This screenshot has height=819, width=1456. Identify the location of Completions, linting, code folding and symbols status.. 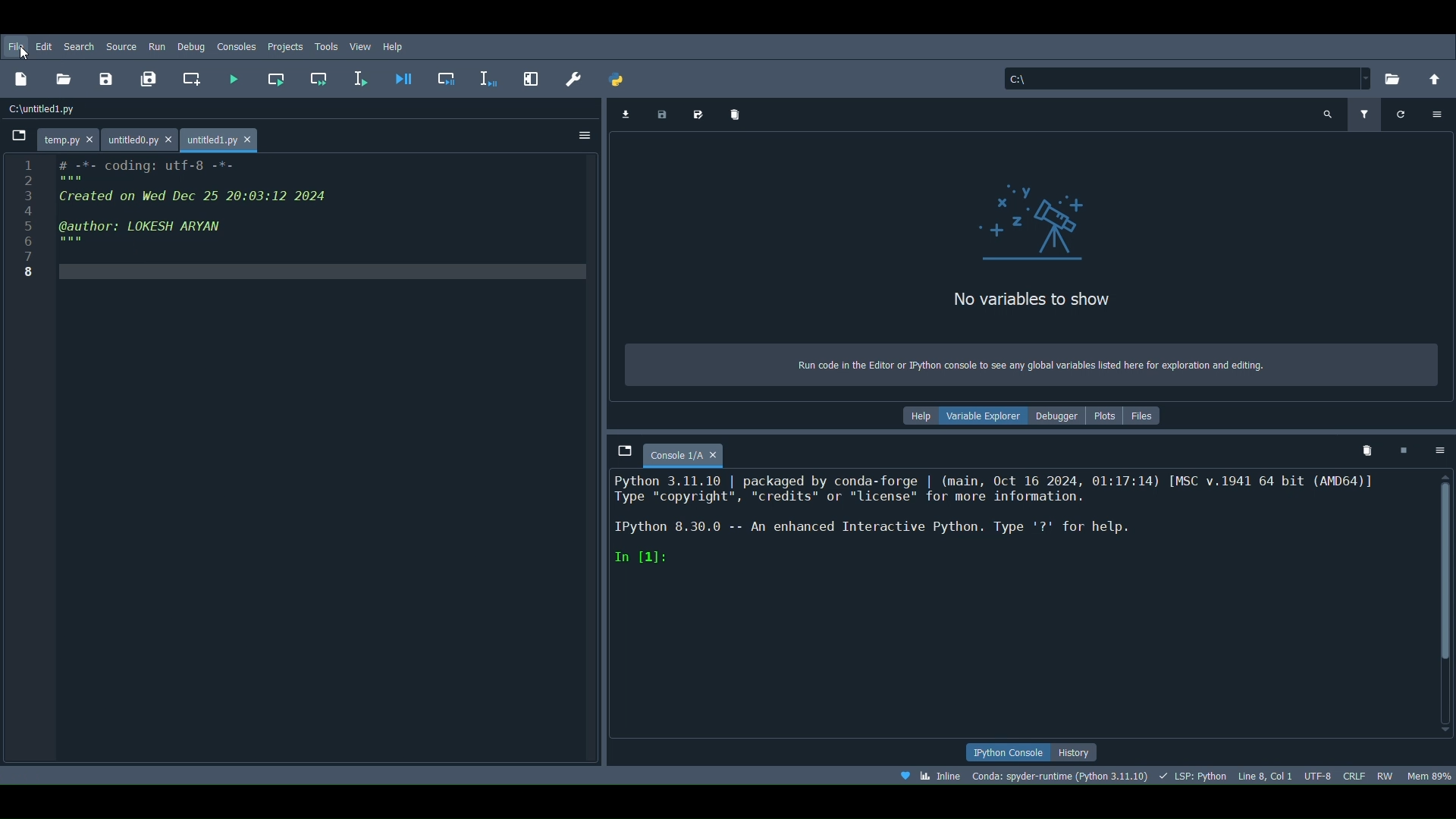
(1194, 775).